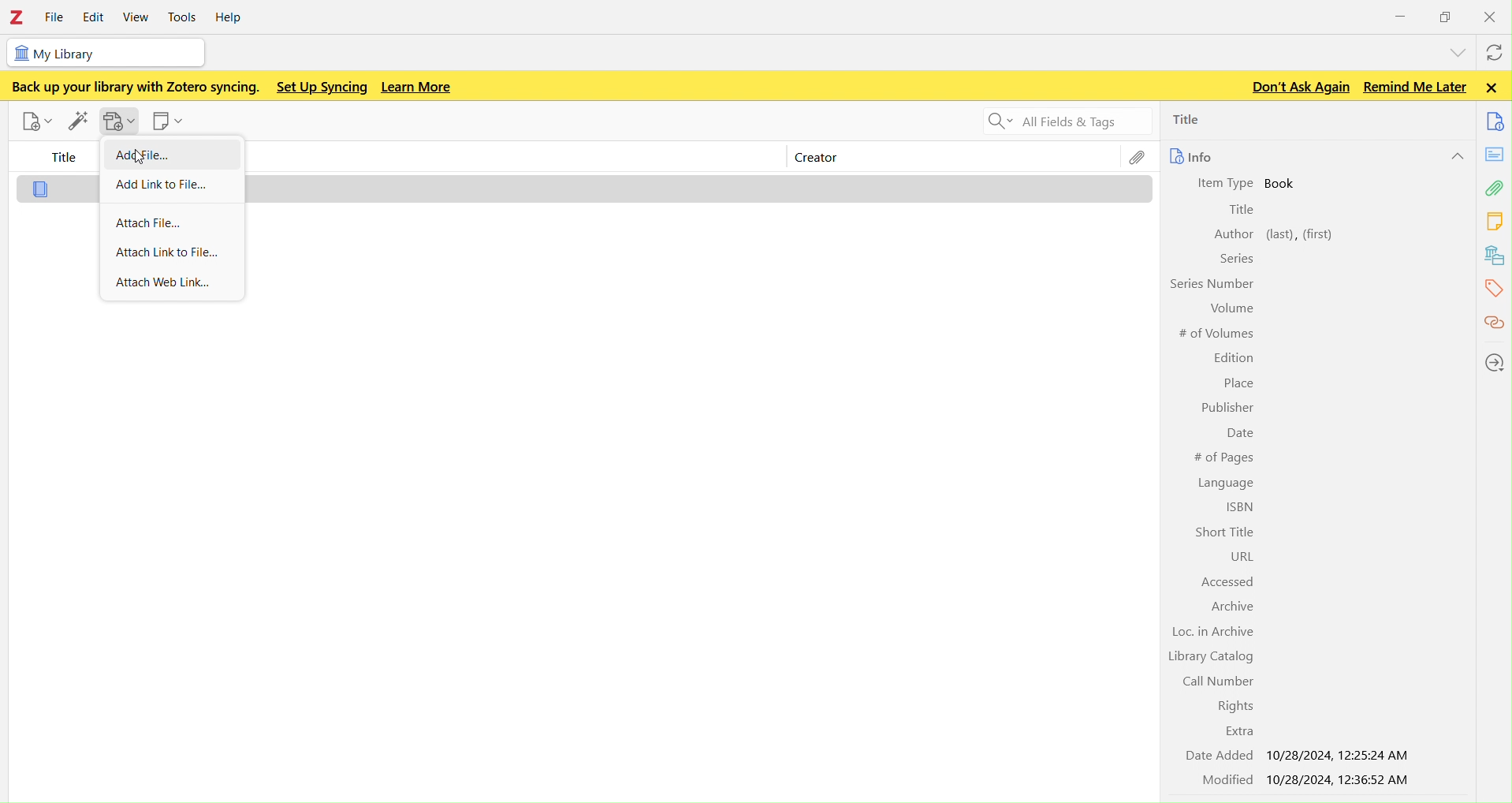  Describe the element at coordinates (1235, 260) in the screenshot. I see `Series` at that location.